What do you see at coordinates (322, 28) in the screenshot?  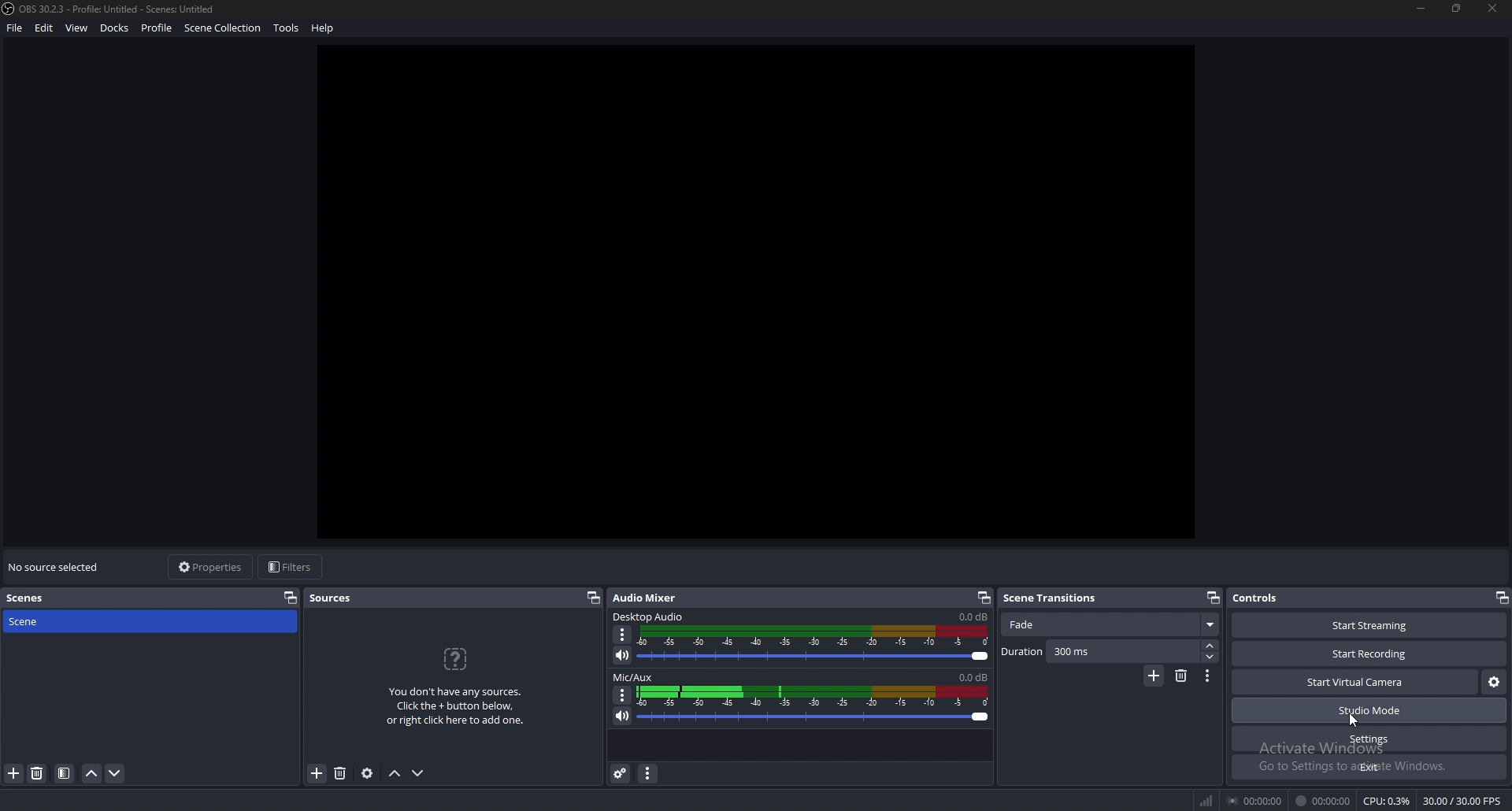 I see `help` at bounding box center [322, 28].